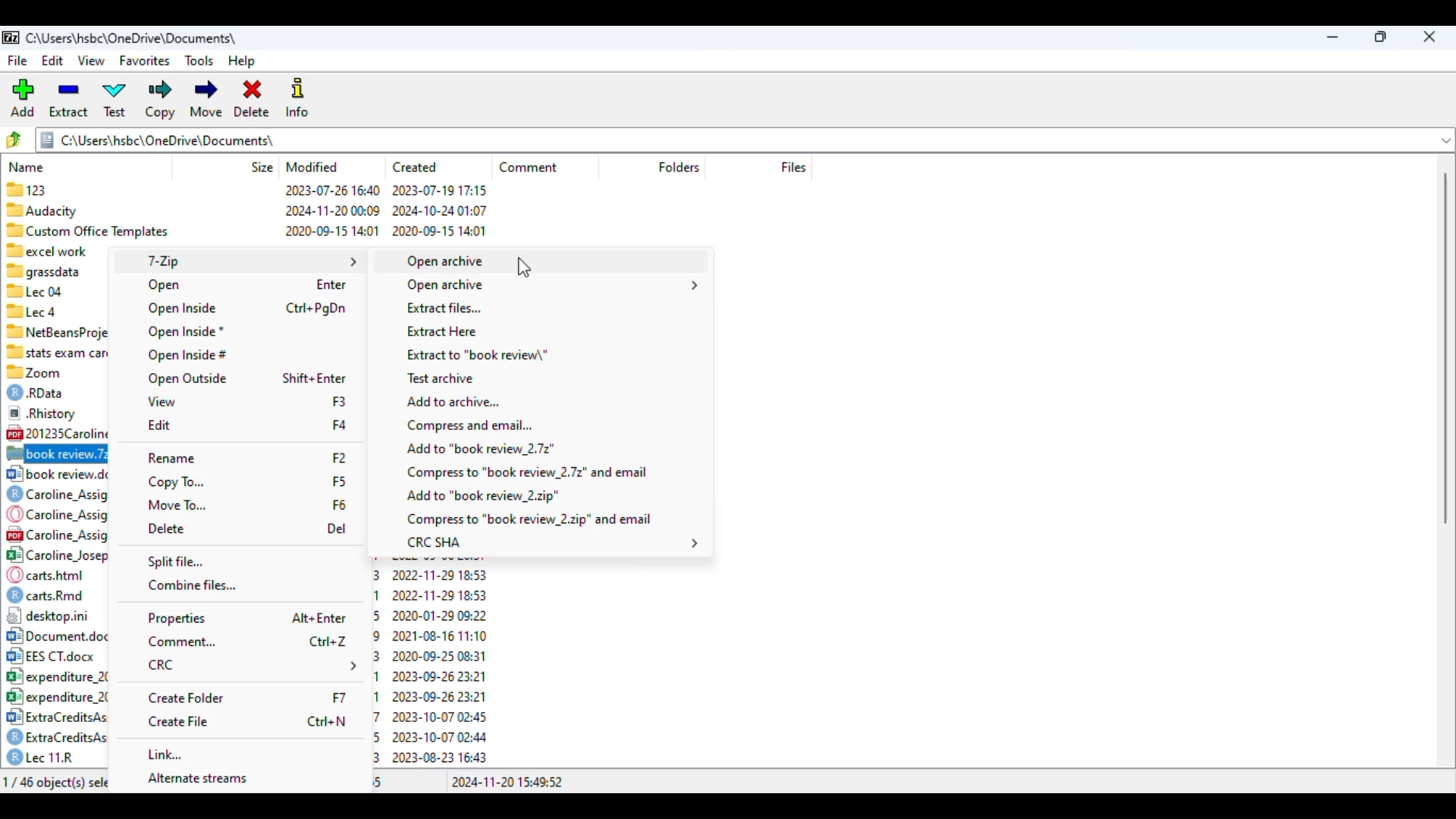  Describe the element at coordinates (247, 229) in the screenshot. I see `88 Custom Office Templates 2020-09-15 14:01 2020-09-15 14:01` at that location.